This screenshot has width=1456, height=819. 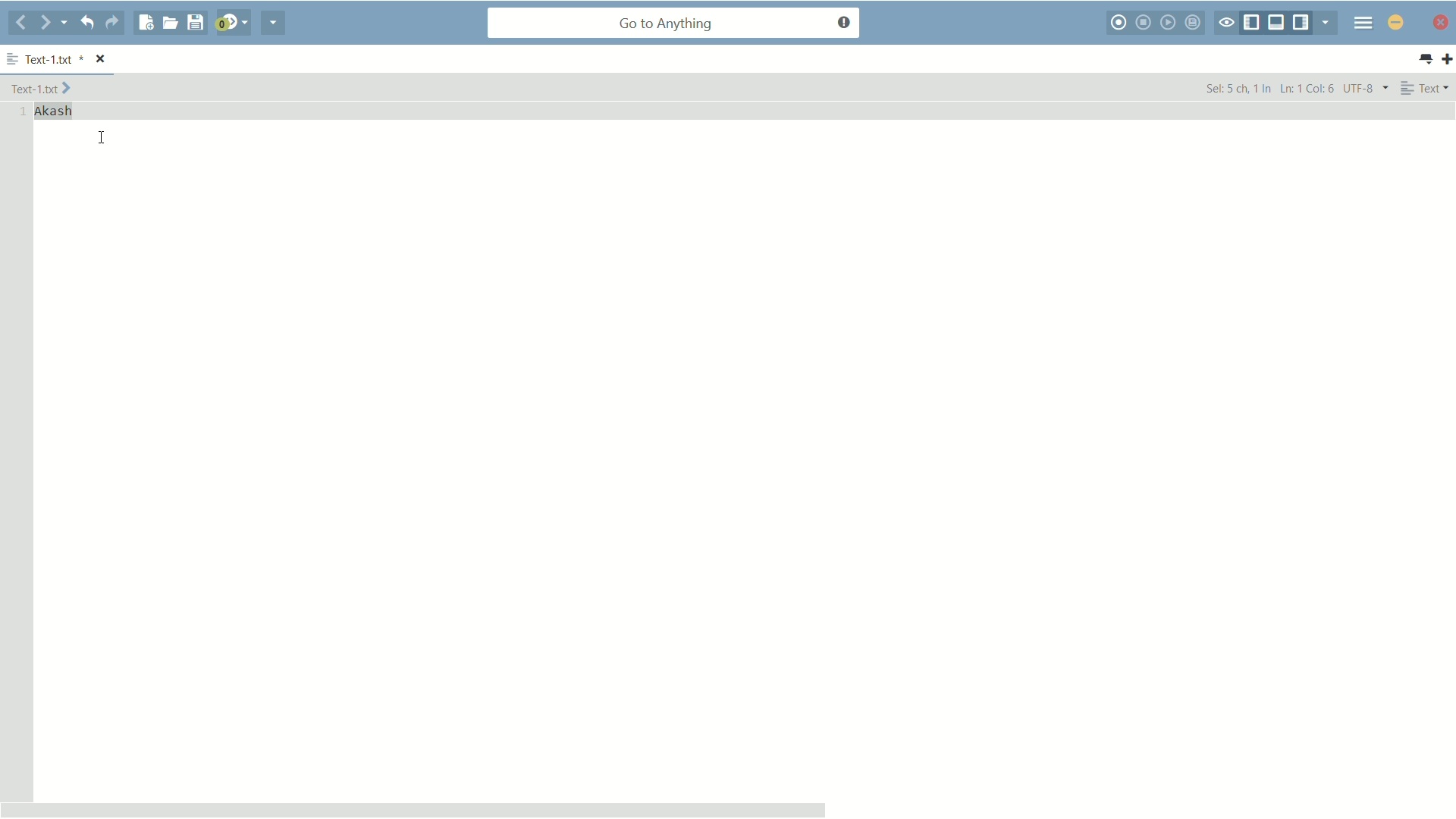 I want to click on back, so click(x=21, y=24).